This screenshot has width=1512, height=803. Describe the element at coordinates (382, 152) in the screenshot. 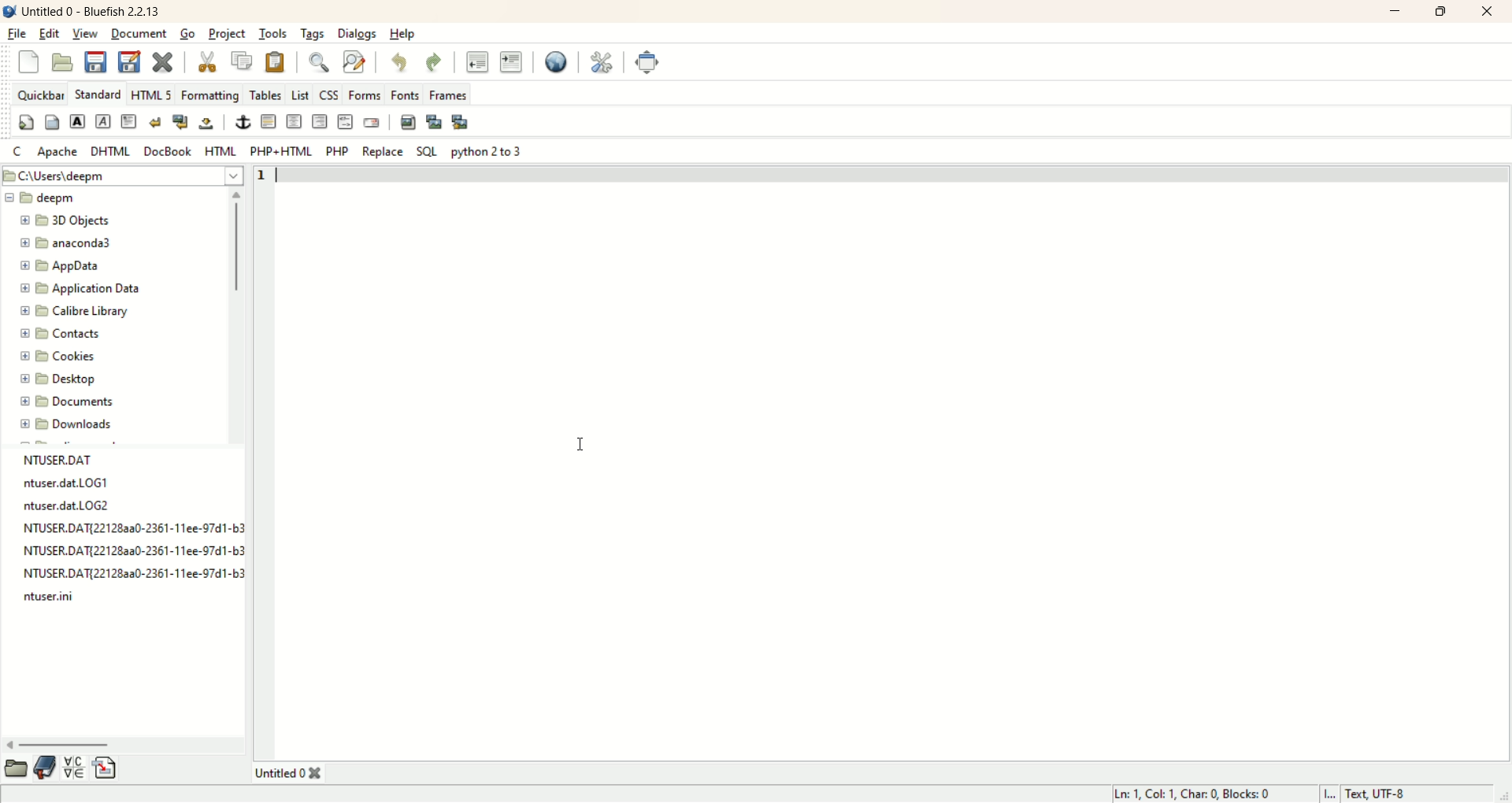

I see `replace` at that location.